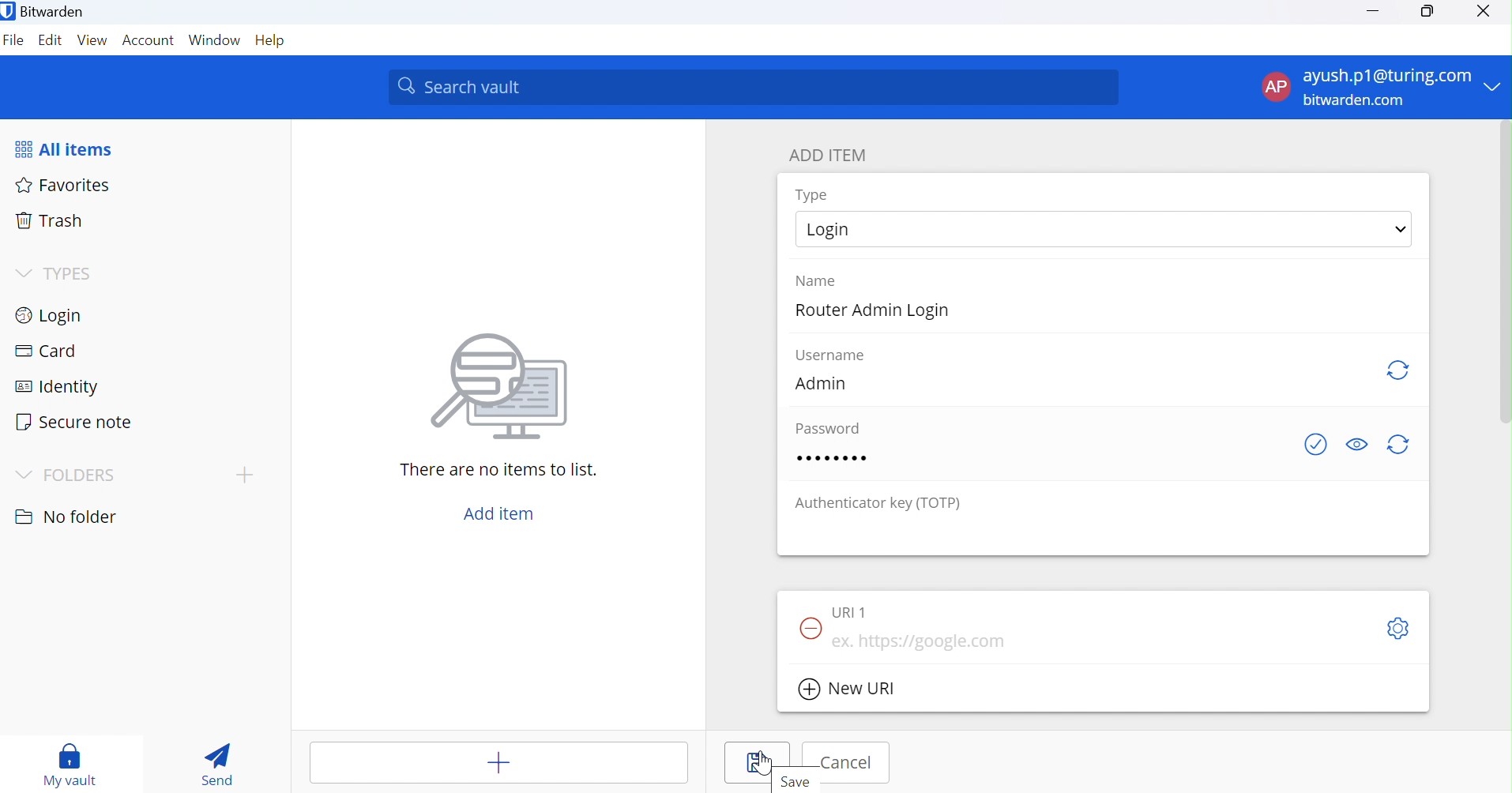  What do you see at coordinates (878, 502) in the screenshot?
I see `Authenticator key (TOTP)` at bounding box center [878, 502].